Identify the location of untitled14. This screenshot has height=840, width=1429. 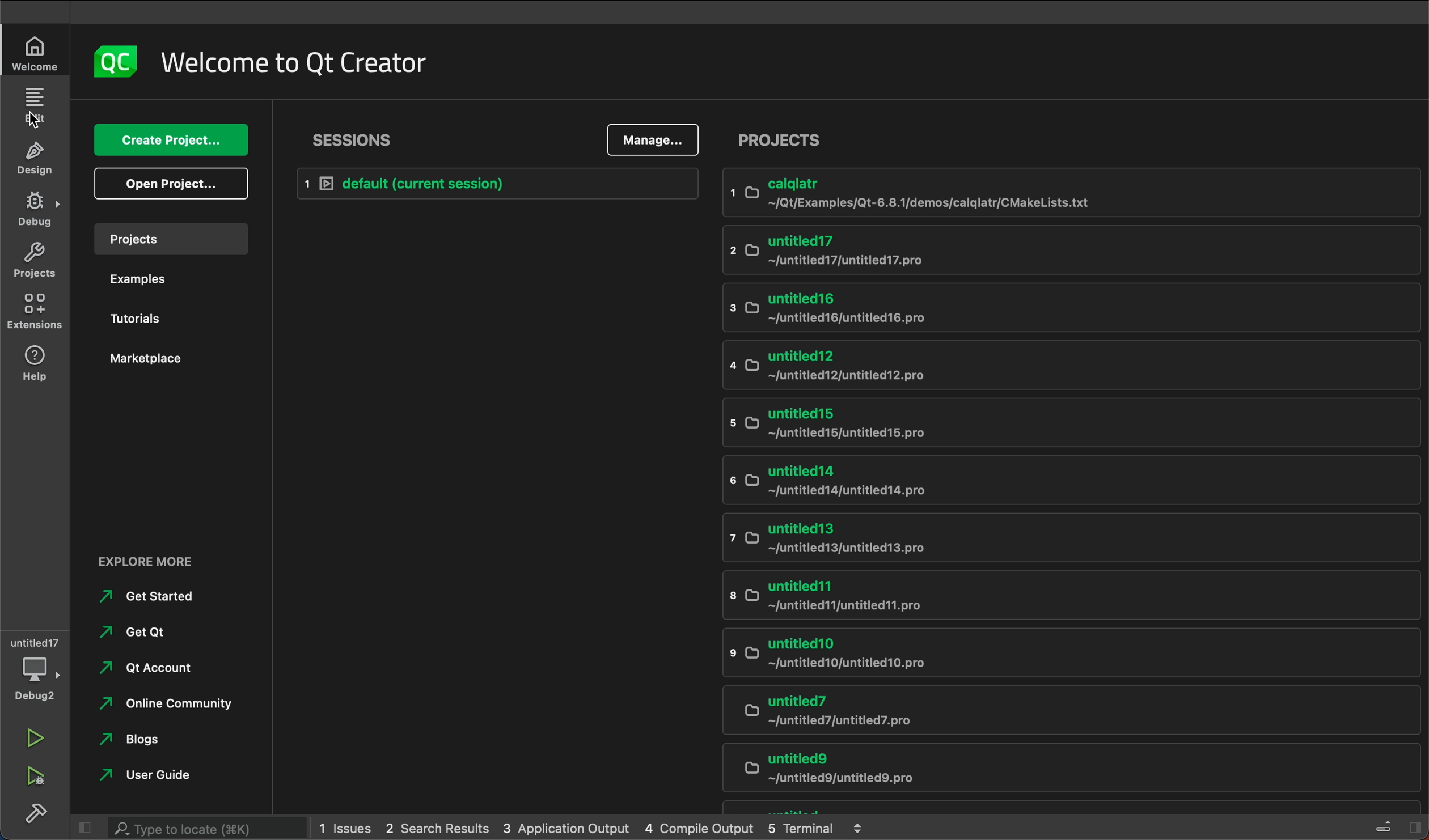
(1048, 482).